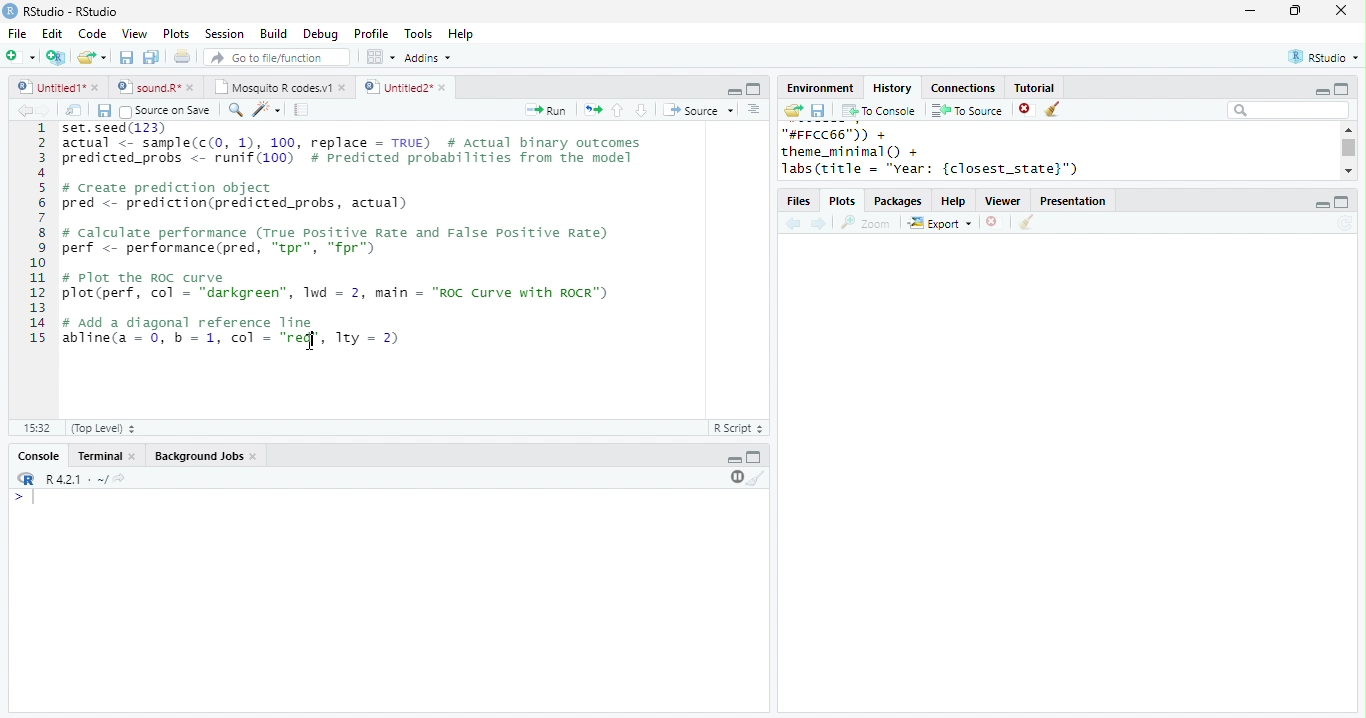 The image size is (1366, 718). I want to click on Plots, so click(177, 33).